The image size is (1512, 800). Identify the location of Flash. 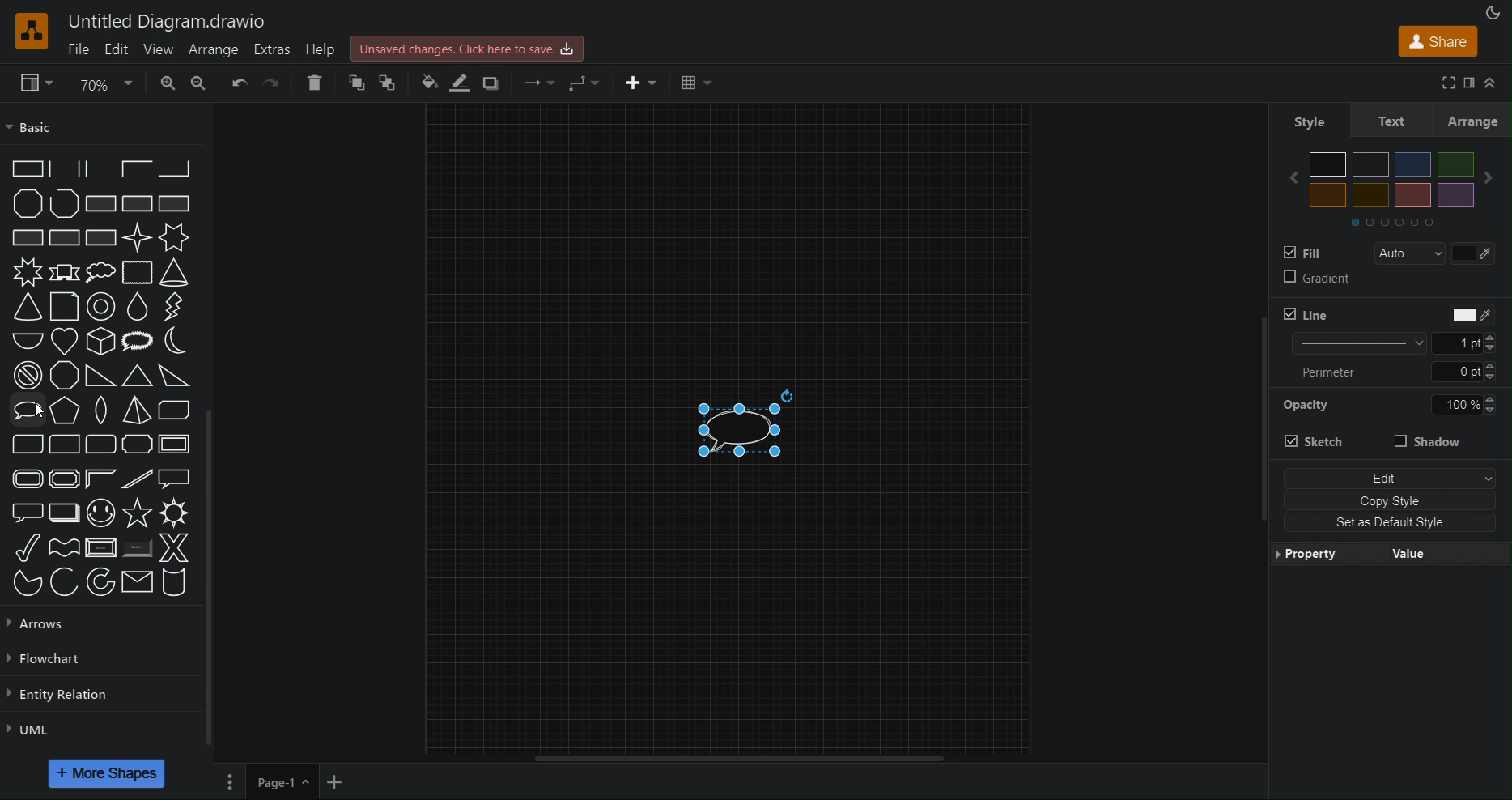
(172, 307).